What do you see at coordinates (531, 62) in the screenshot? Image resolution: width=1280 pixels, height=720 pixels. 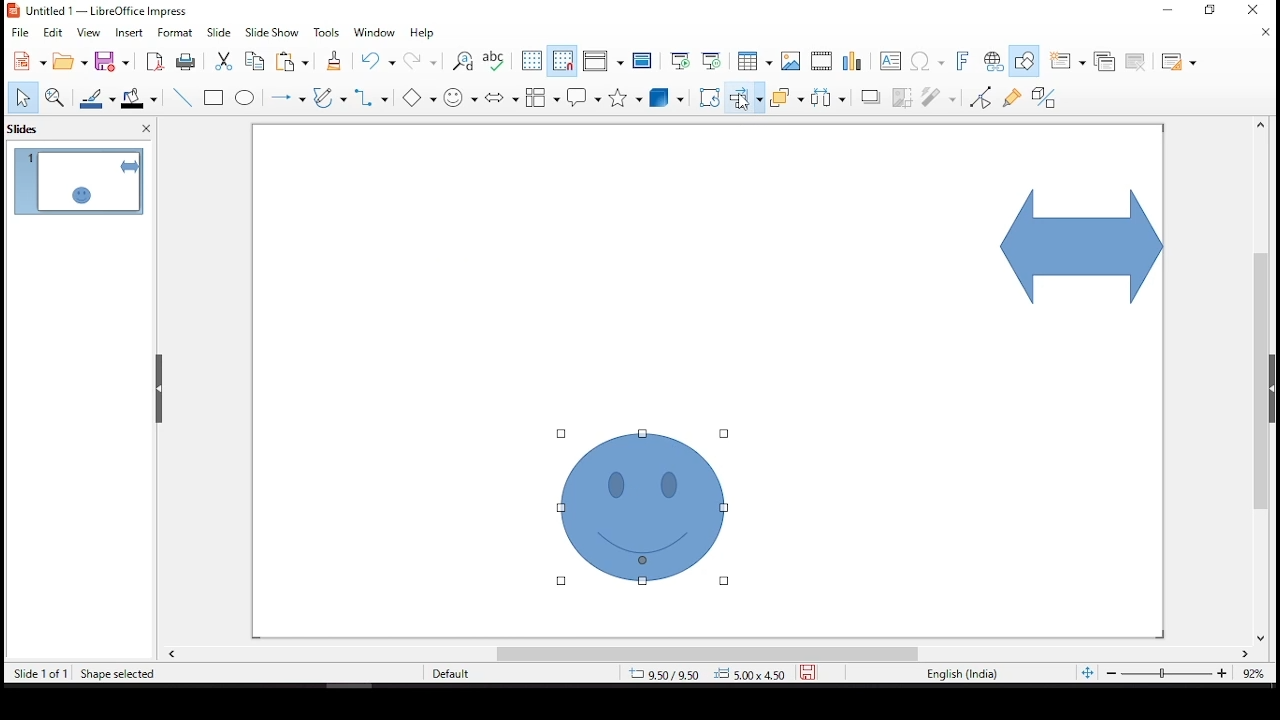 I see `display grid` at bounding box center [531, 62].